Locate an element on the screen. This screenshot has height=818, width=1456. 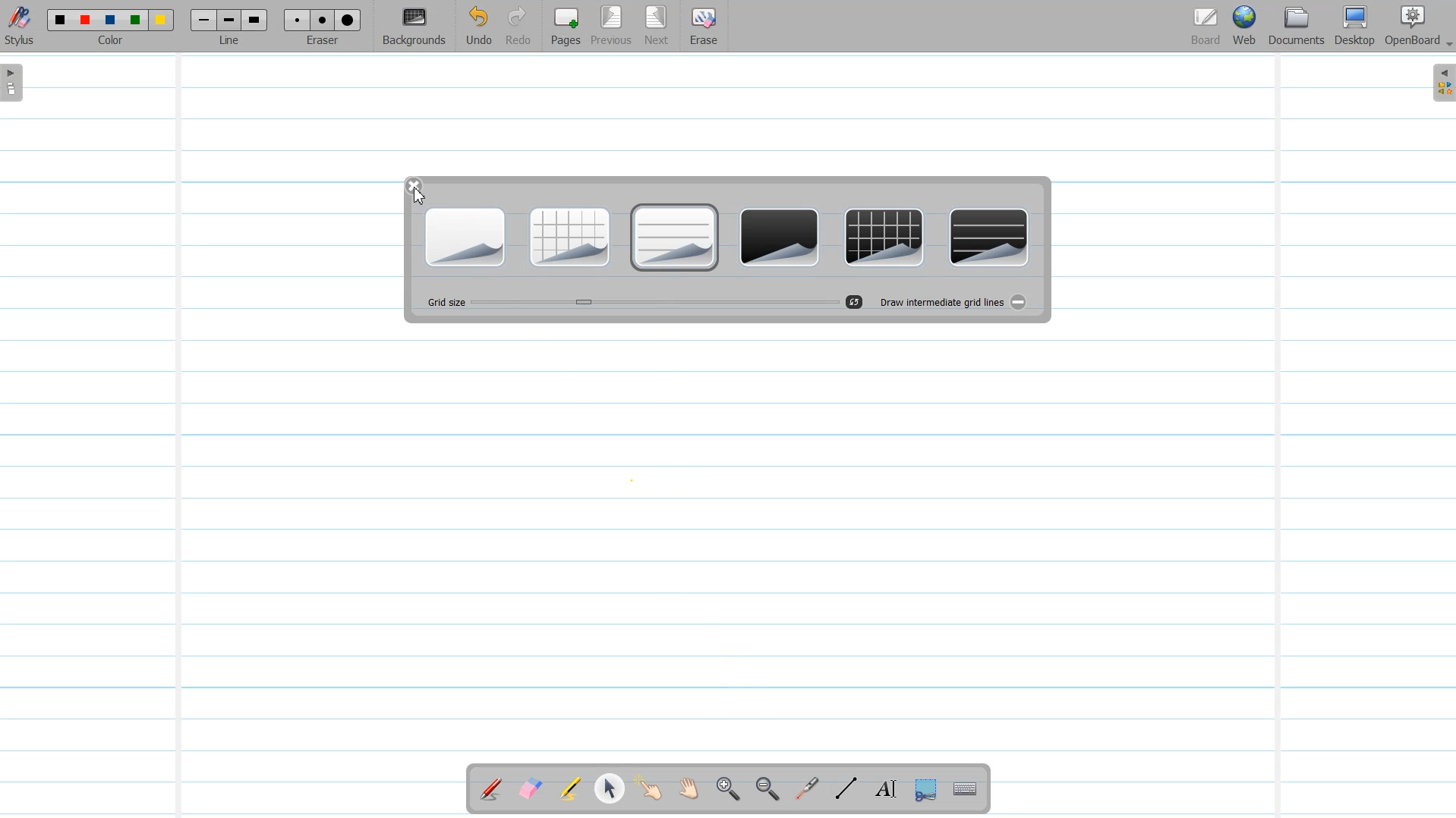
Highlight is located at coordinates (570, 791).